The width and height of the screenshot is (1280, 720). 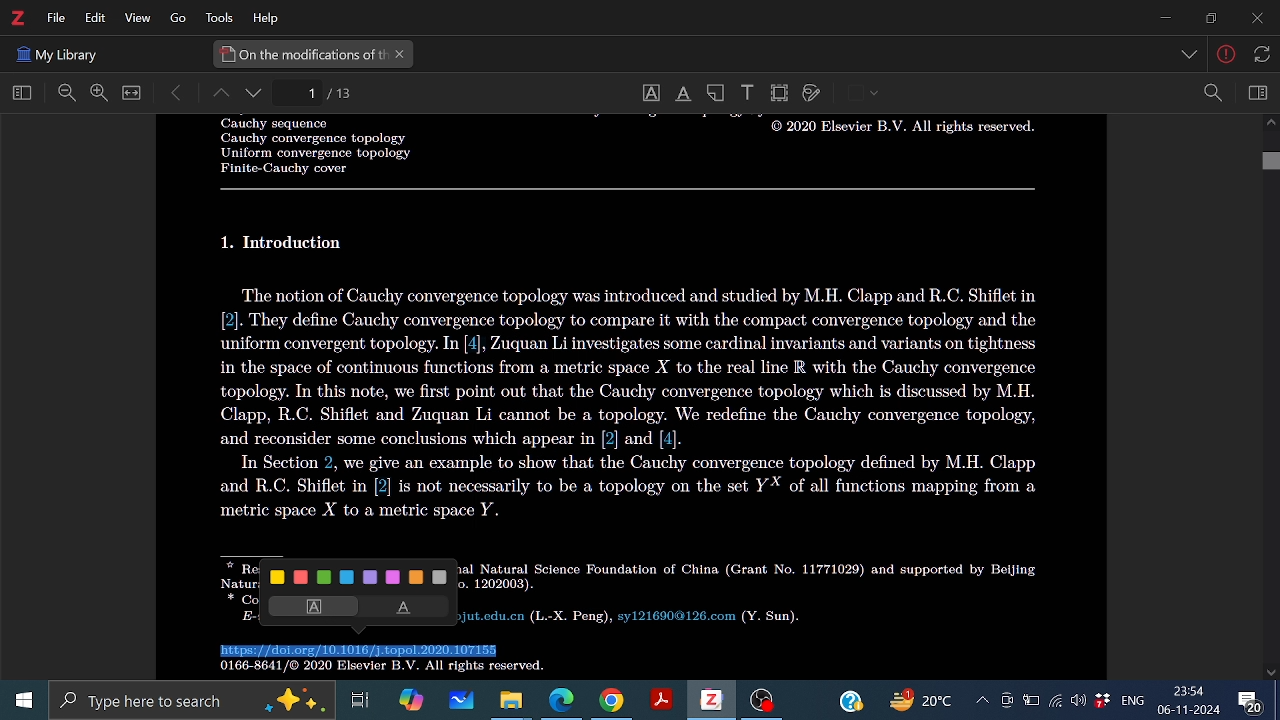 I want to click on Type here to serach, so click(x=190, y=701).